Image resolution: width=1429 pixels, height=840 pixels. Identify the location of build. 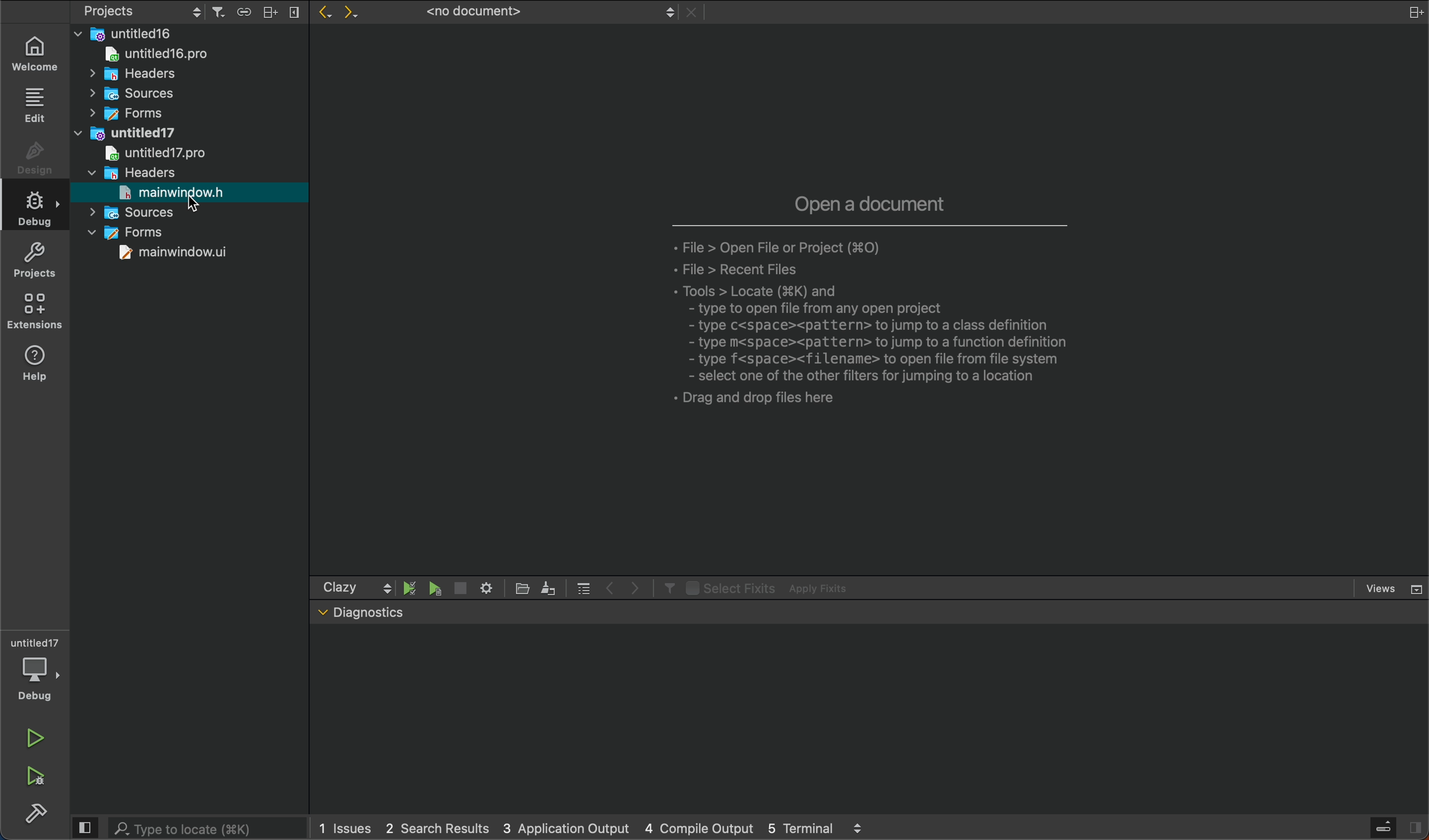
(36, 816).